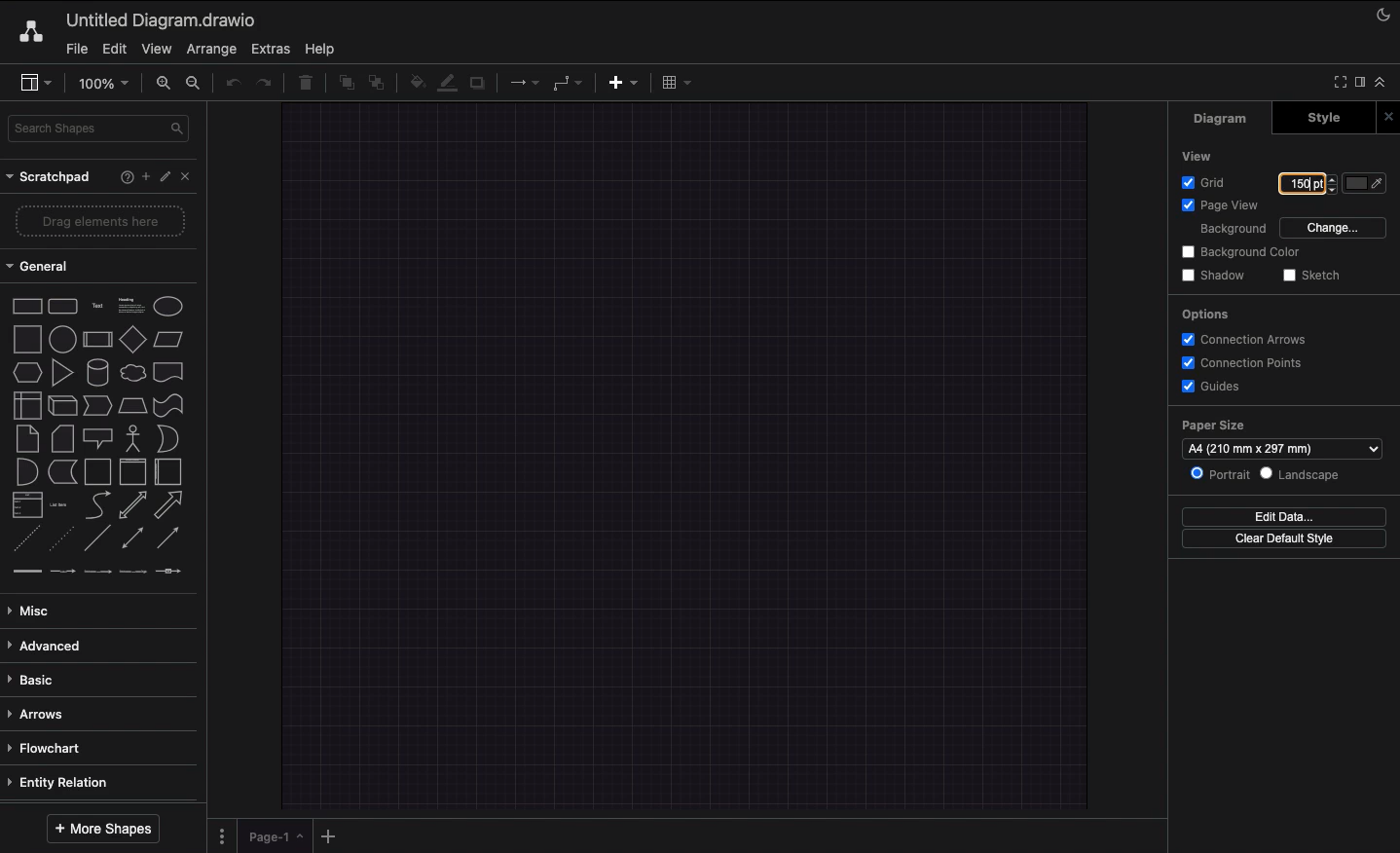 The height and width of the screenshot is (853, 1400). I want to click on Landscape, so click(1307, 476).